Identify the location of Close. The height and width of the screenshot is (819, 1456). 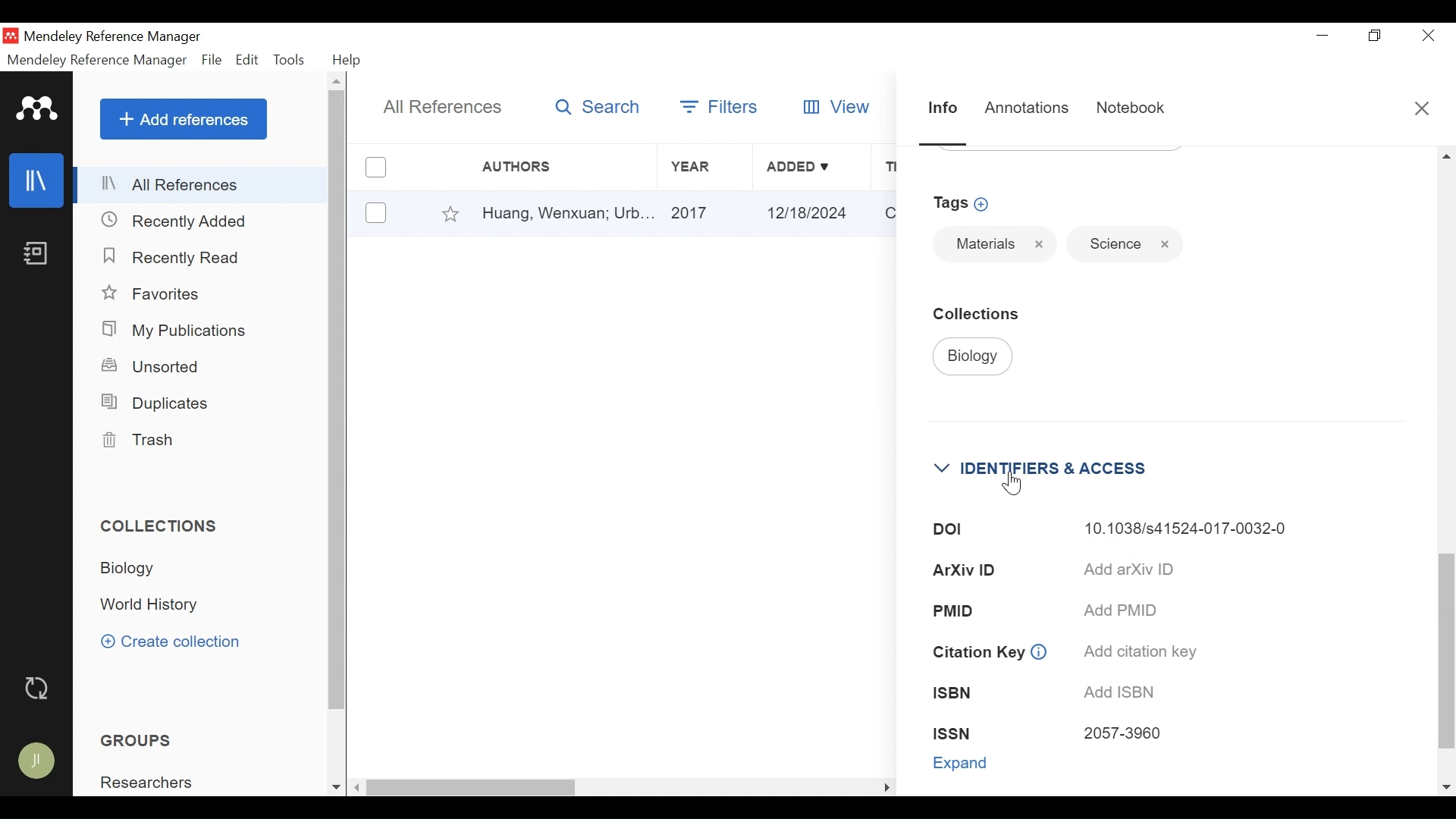
(1165, 244).